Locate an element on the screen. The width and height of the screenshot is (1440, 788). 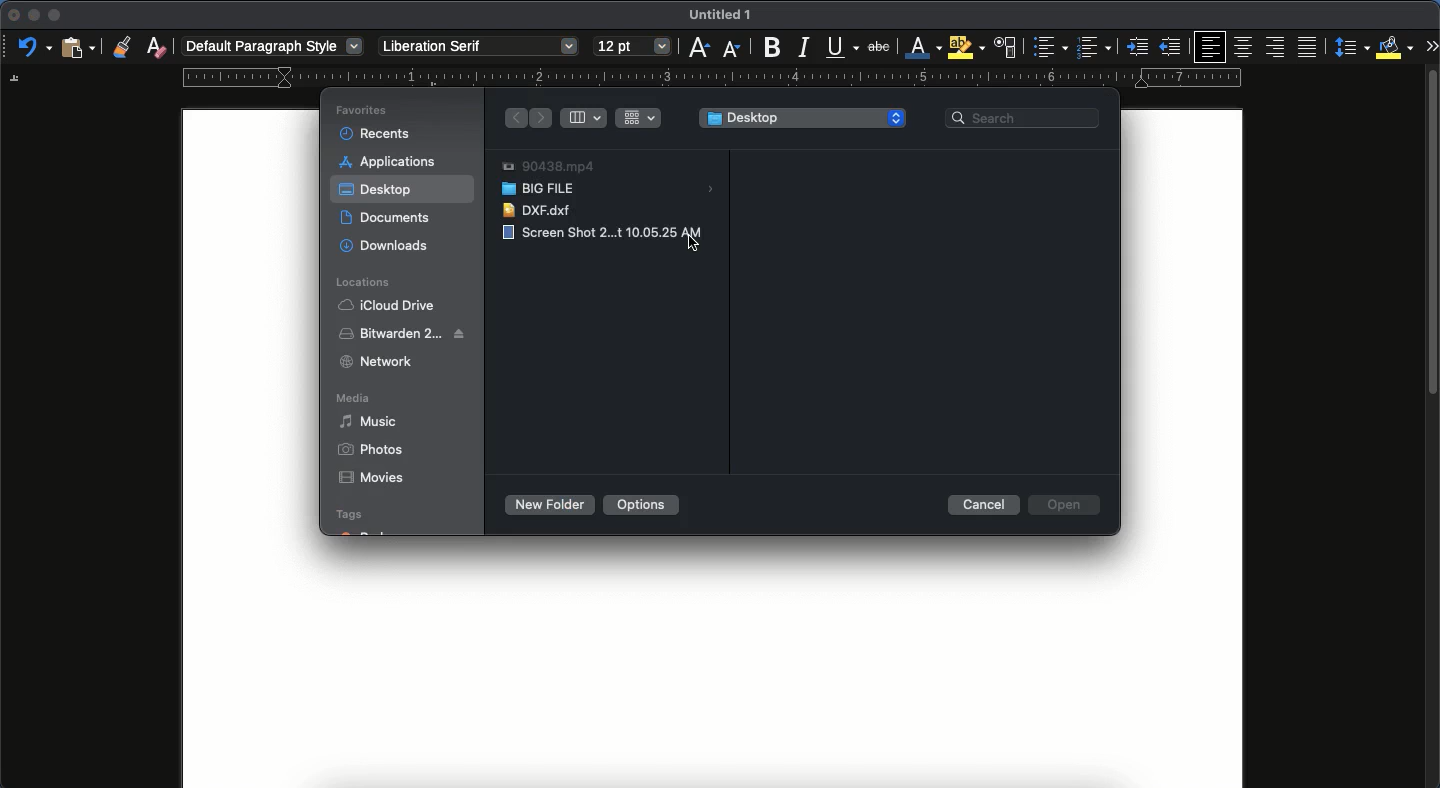
justify is located at coordinates (1309, 47).